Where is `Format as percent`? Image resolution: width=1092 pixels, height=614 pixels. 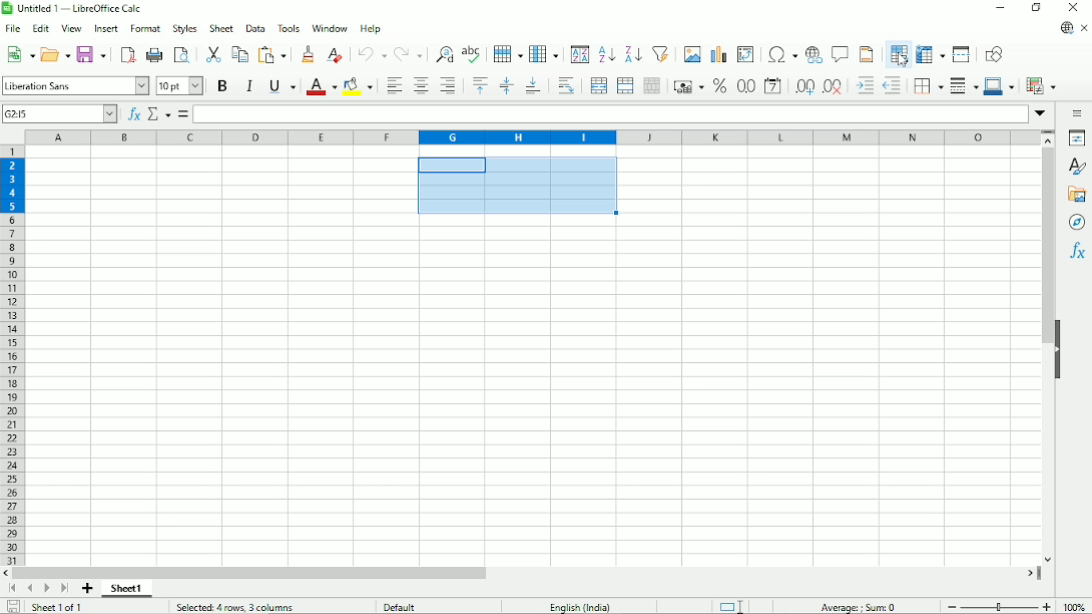
Format as percent is located at coordinates (719, 86).